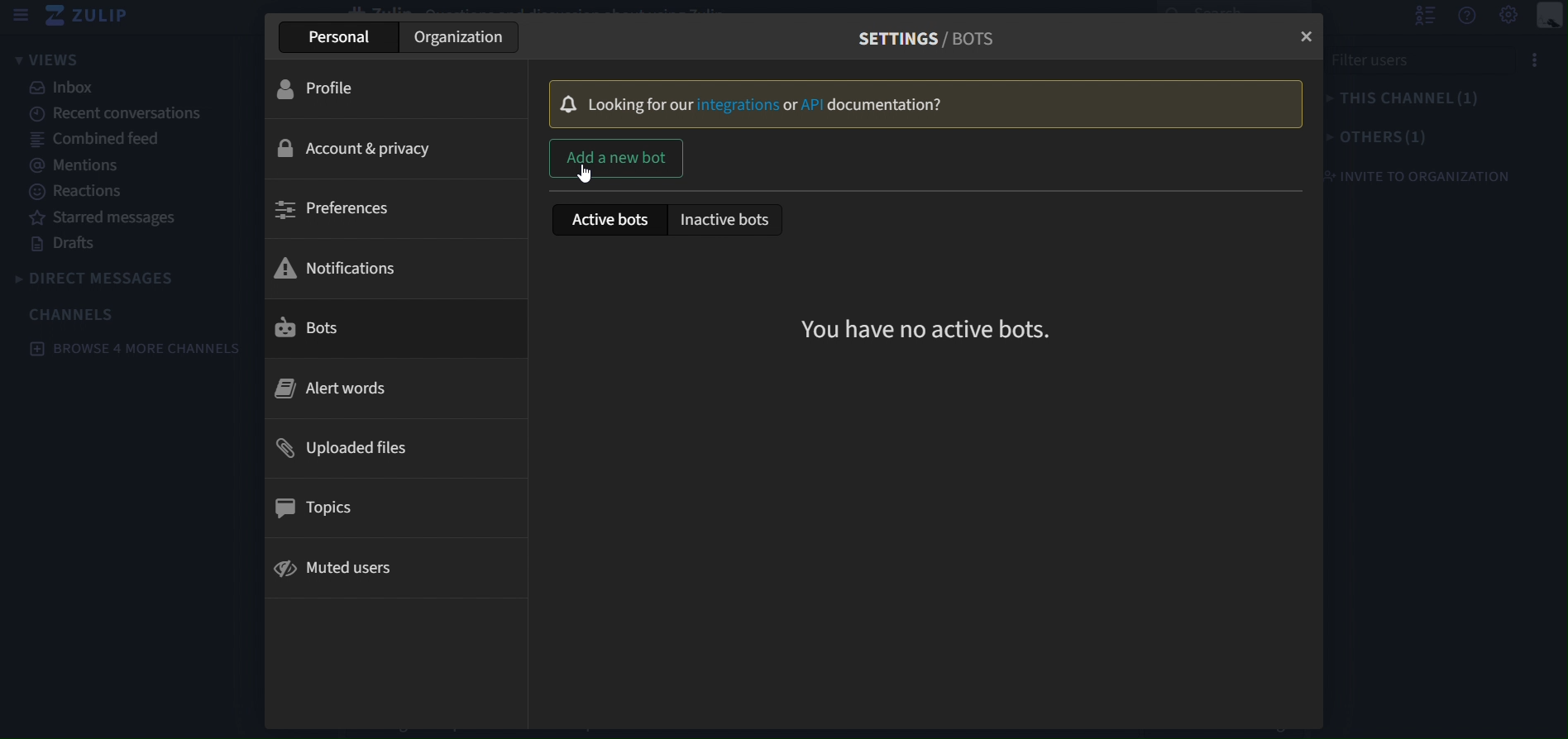 The height and width of the screenshot is (739, 1568). I want to click on settings/ Bots, so click(918, 38).